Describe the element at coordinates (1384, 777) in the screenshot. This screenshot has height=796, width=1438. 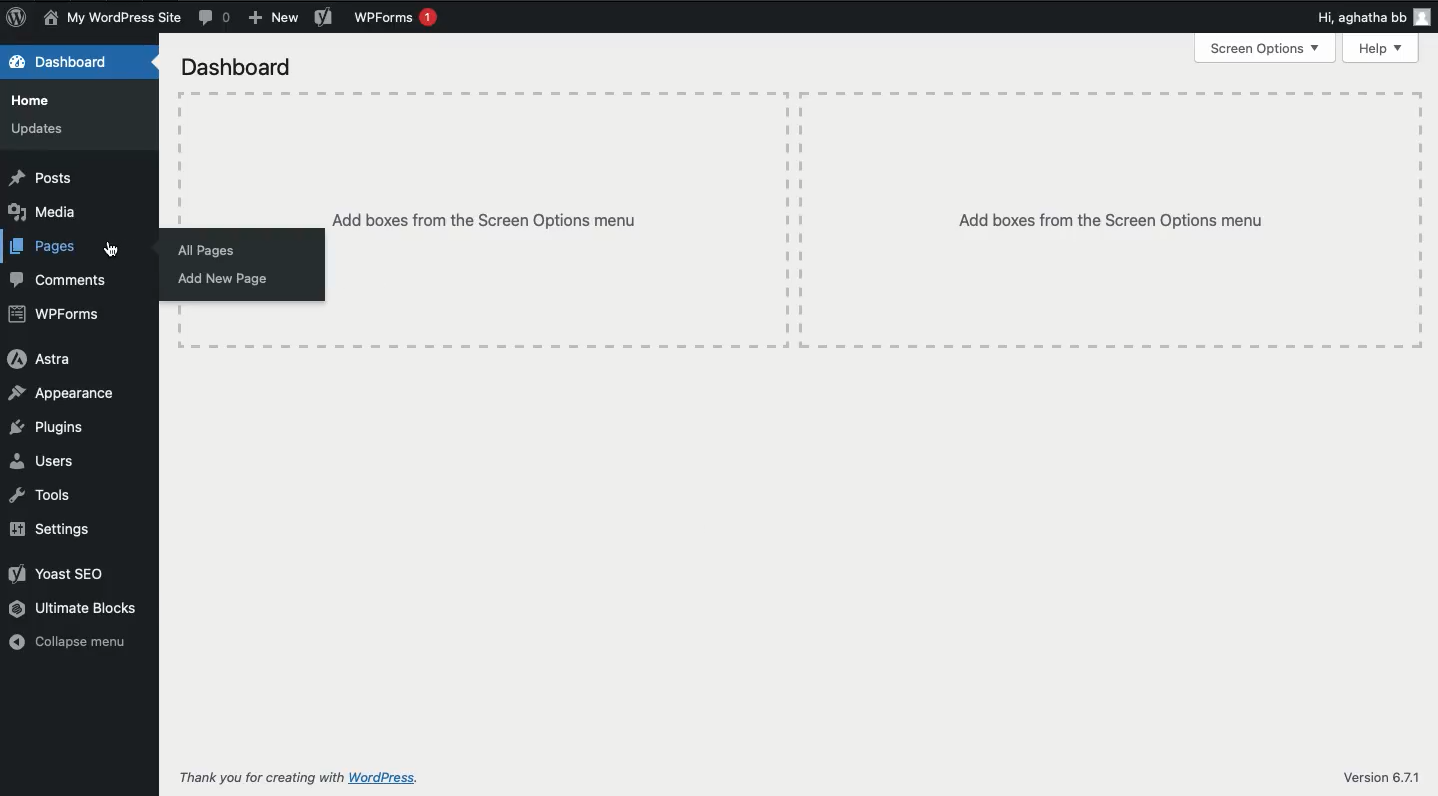
I see `Version 6.7.1` at that location.